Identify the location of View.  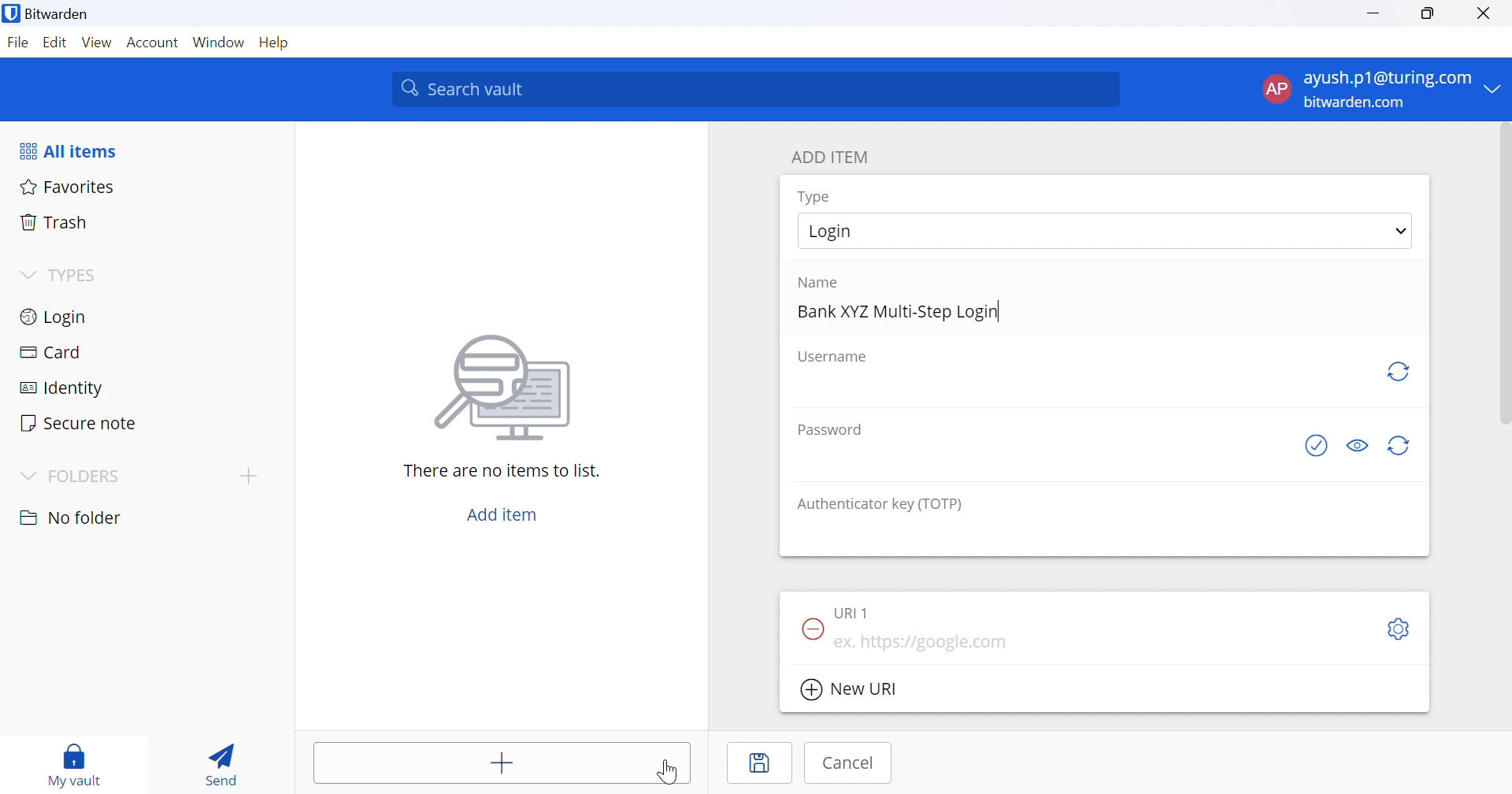
(96, 42).